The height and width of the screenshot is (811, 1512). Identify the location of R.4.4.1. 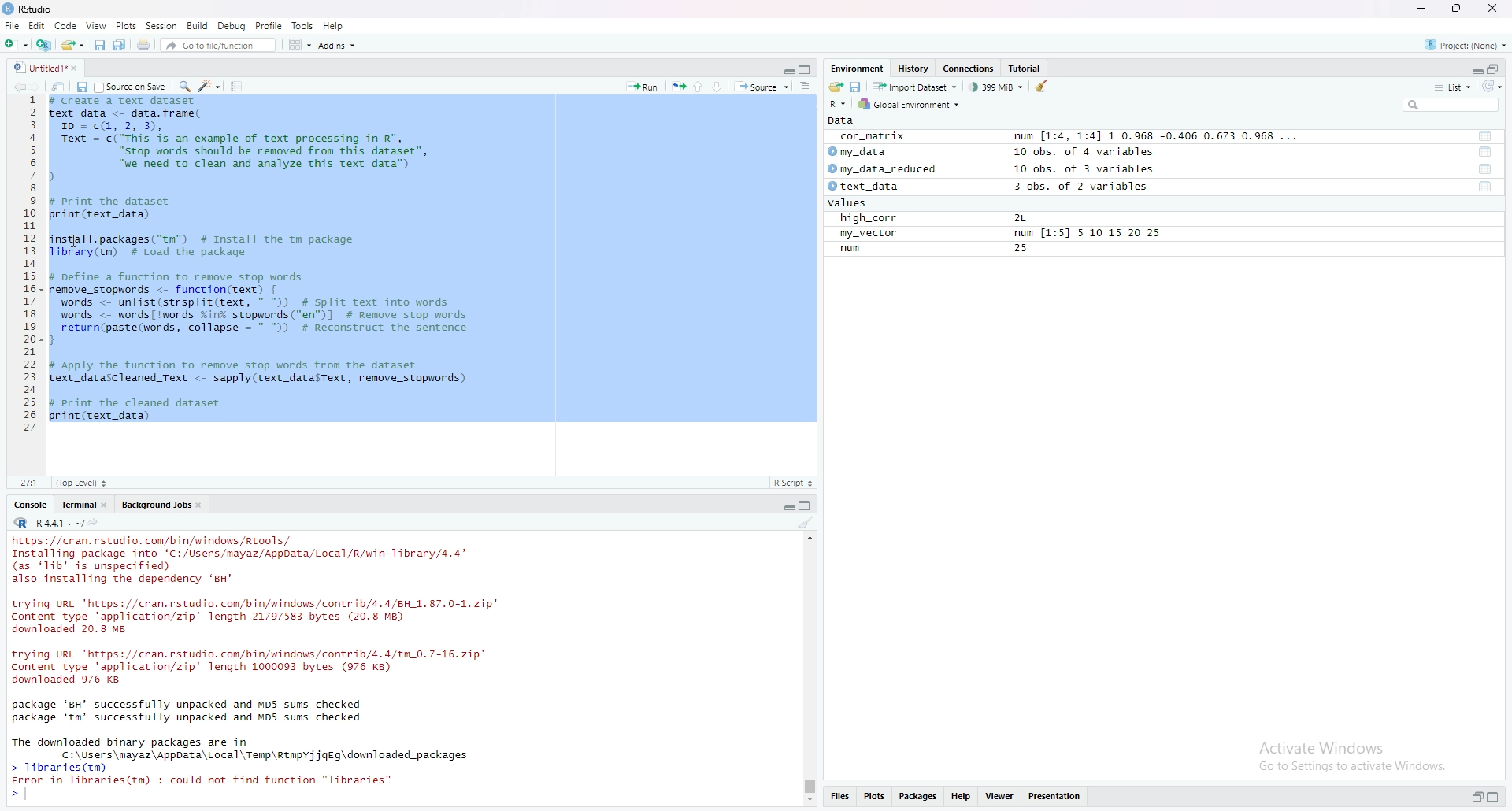
(48, 524).